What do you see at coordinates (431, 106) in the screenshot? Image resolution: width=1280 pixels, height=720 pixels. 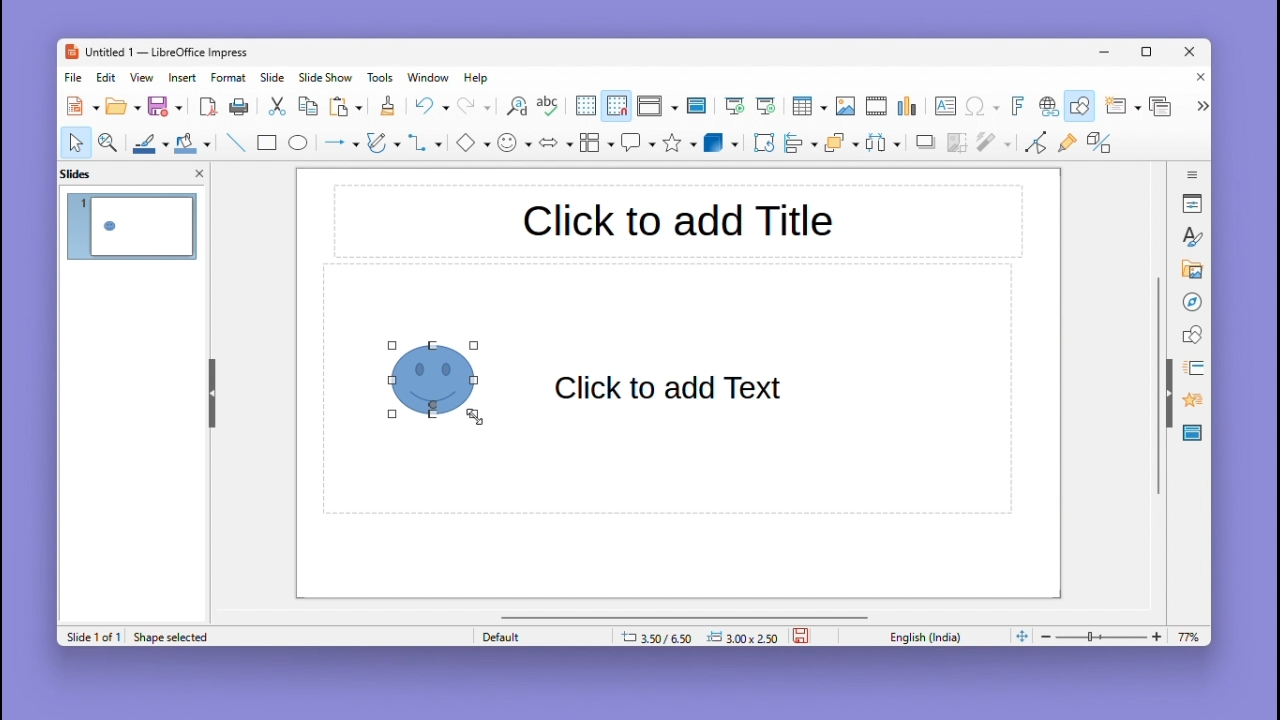 I see `undo` at bounding box center [431, 106].